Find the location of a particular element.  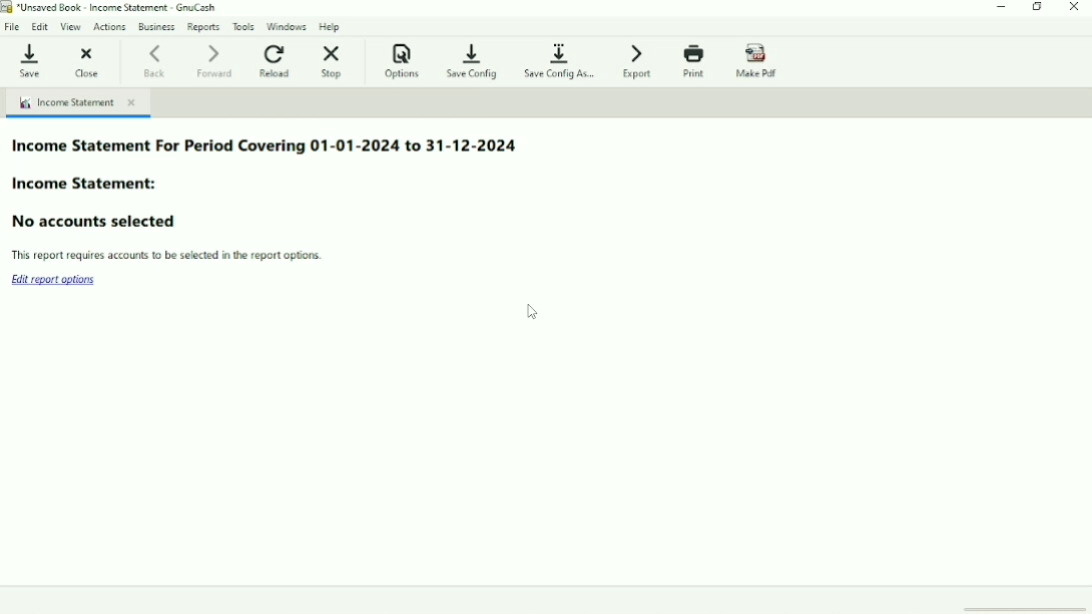

*Unsaved Book - Income Statement - GnuCash is located at coordinates (115, 8).